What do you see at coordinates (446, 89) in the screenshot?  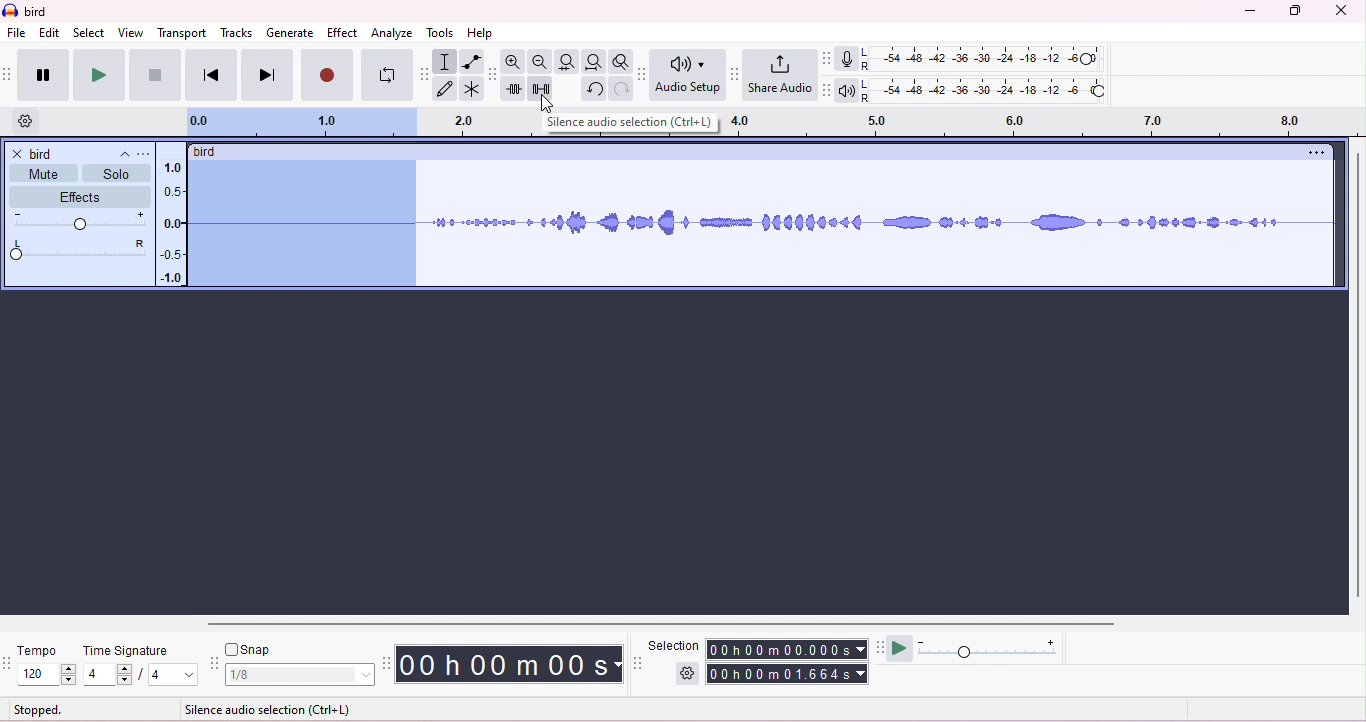 I see `draw` at bounding box center [446, 89].